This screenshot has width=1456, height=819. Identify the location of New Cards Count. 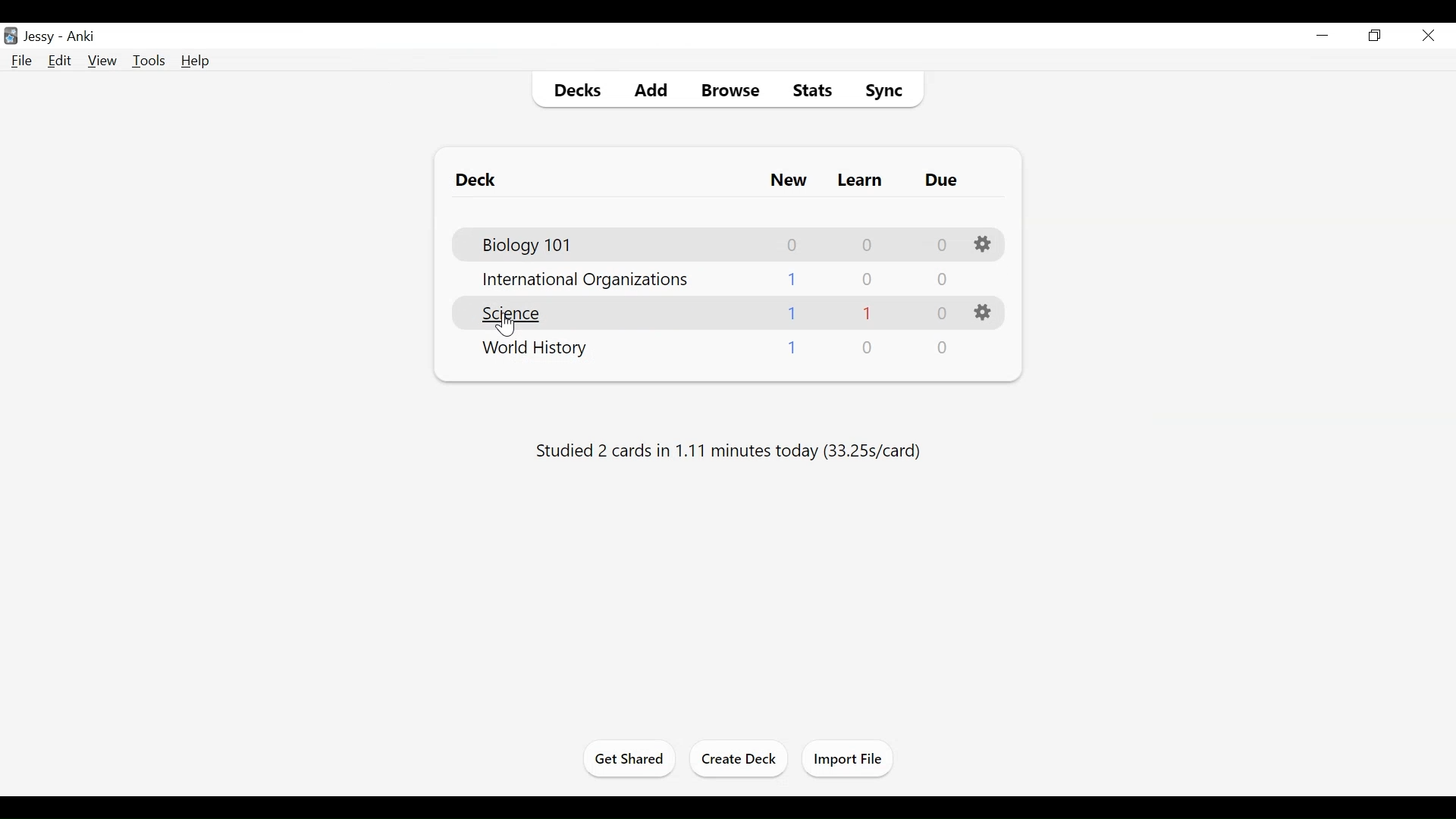
(793, 315).